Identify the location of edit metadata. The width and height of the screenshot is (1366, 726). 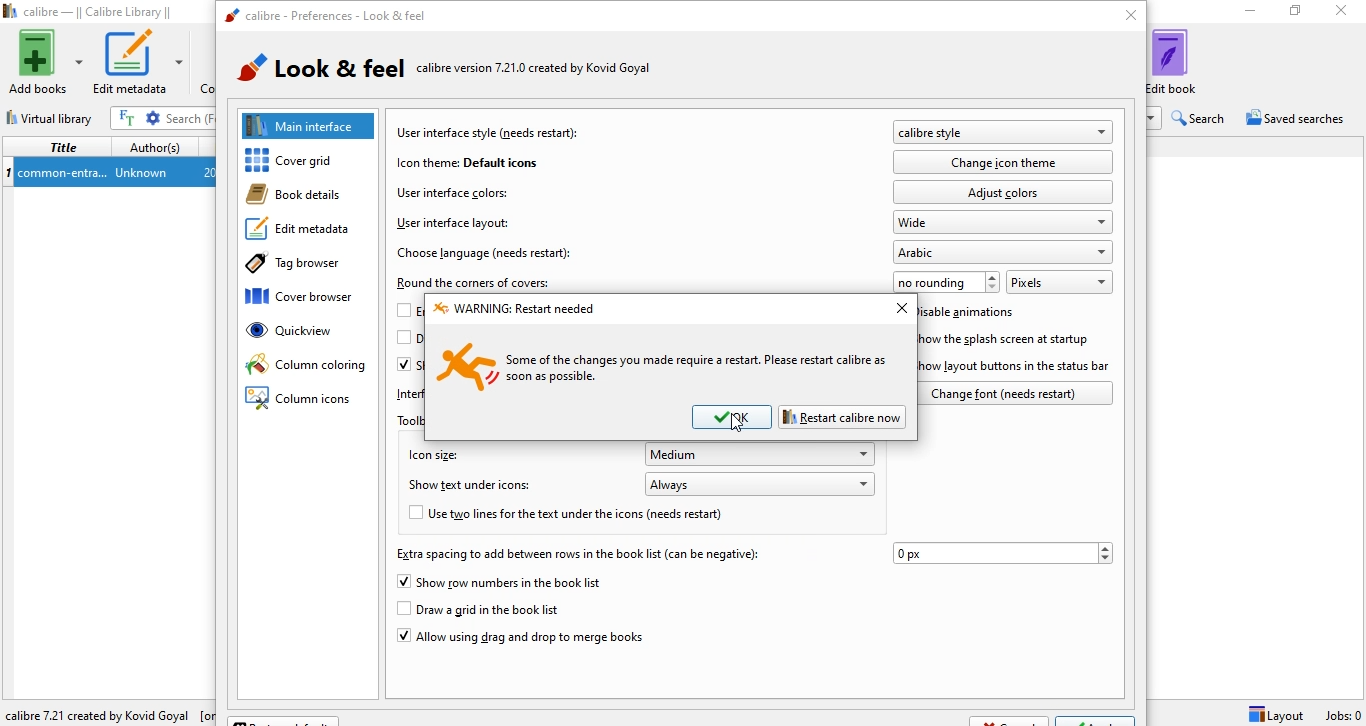
(304, 232).